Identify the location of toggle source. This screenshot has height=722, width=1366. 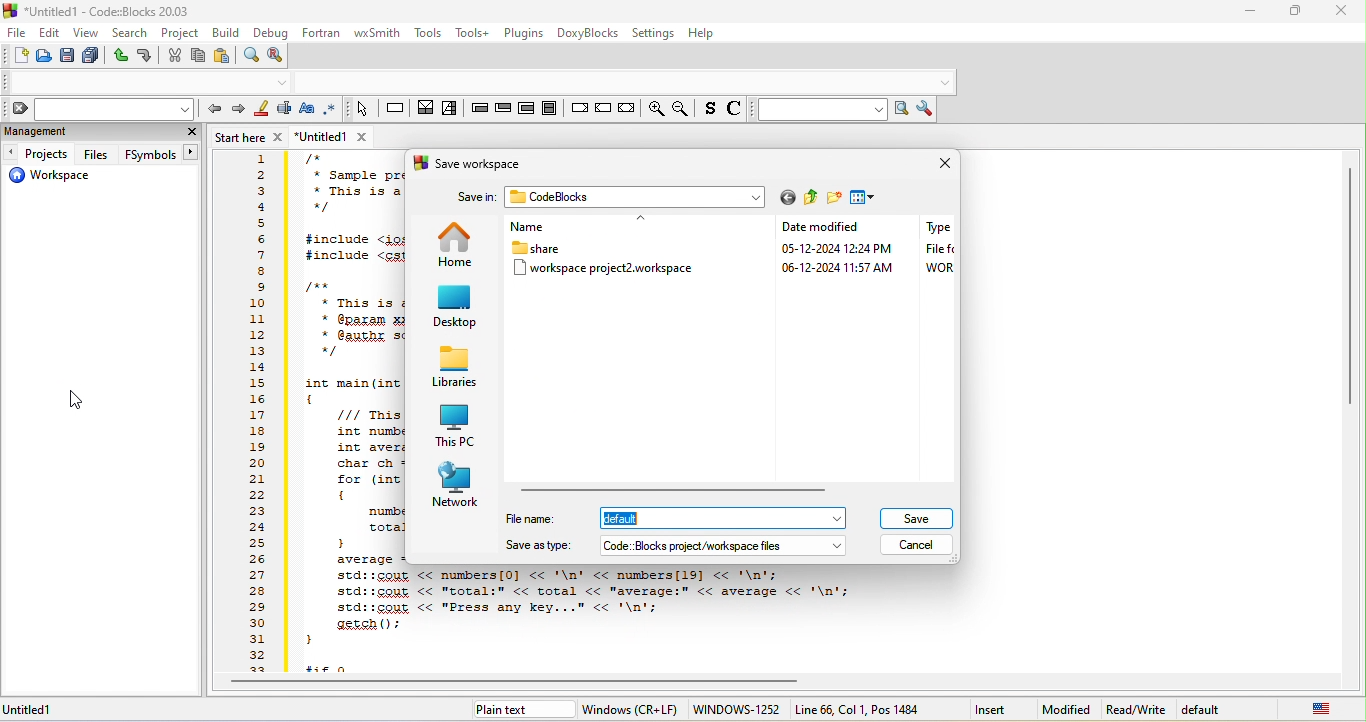
(734, 111).